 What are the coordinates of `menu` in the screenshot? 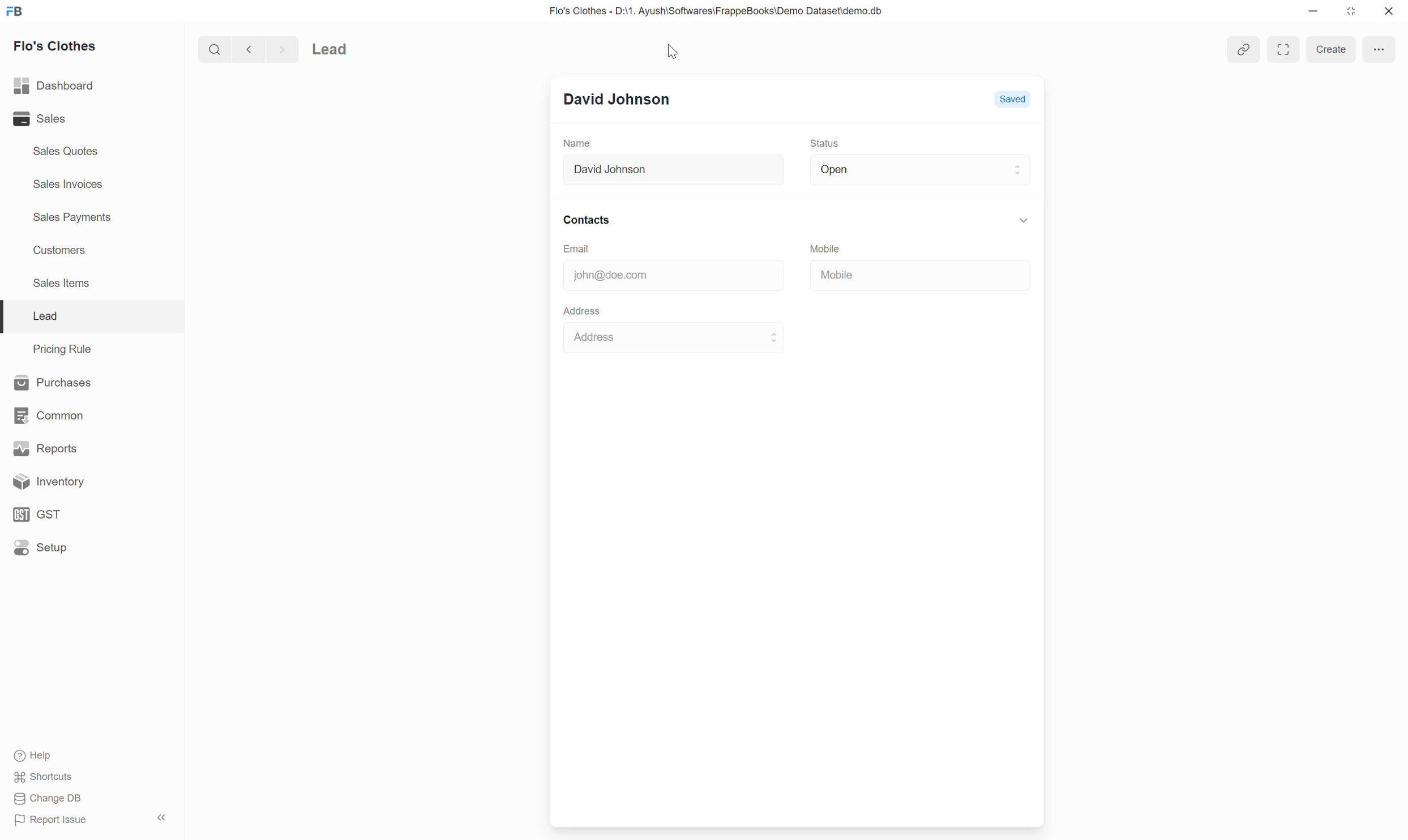 It's located at (1381, 48).